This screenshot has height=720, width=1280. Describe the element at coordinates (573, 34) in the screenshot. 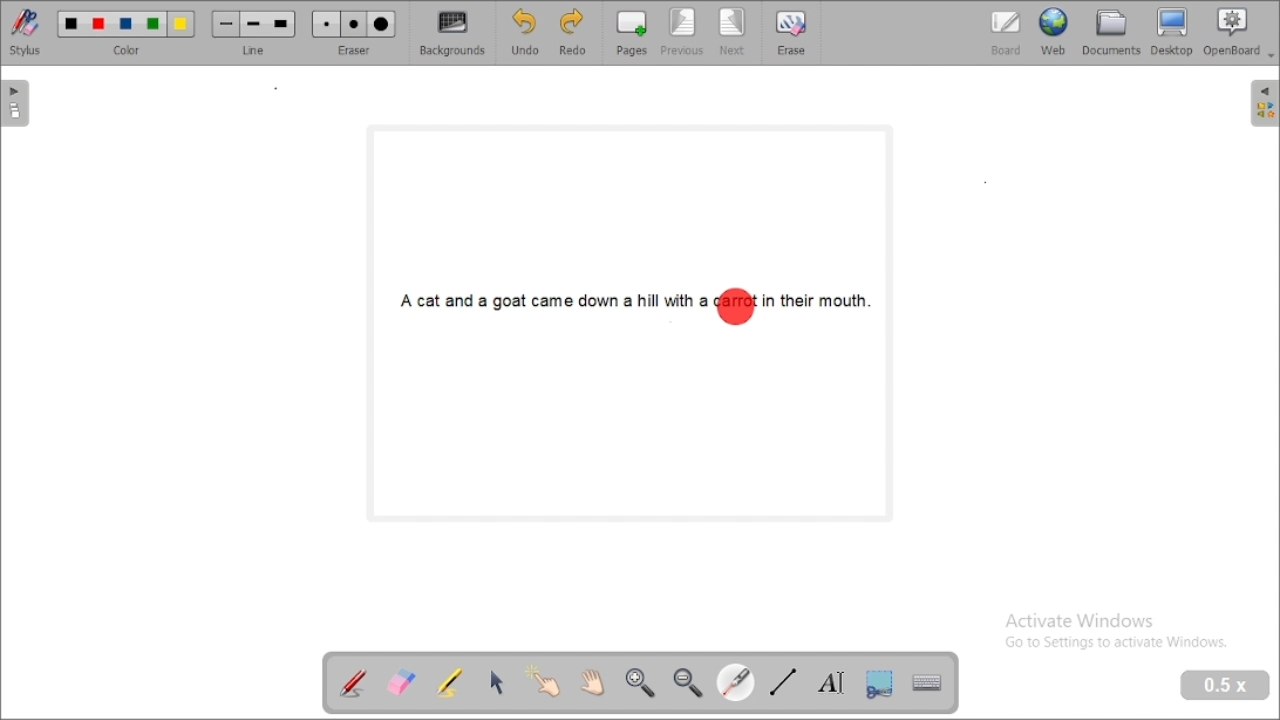

I see `redo` at that location.